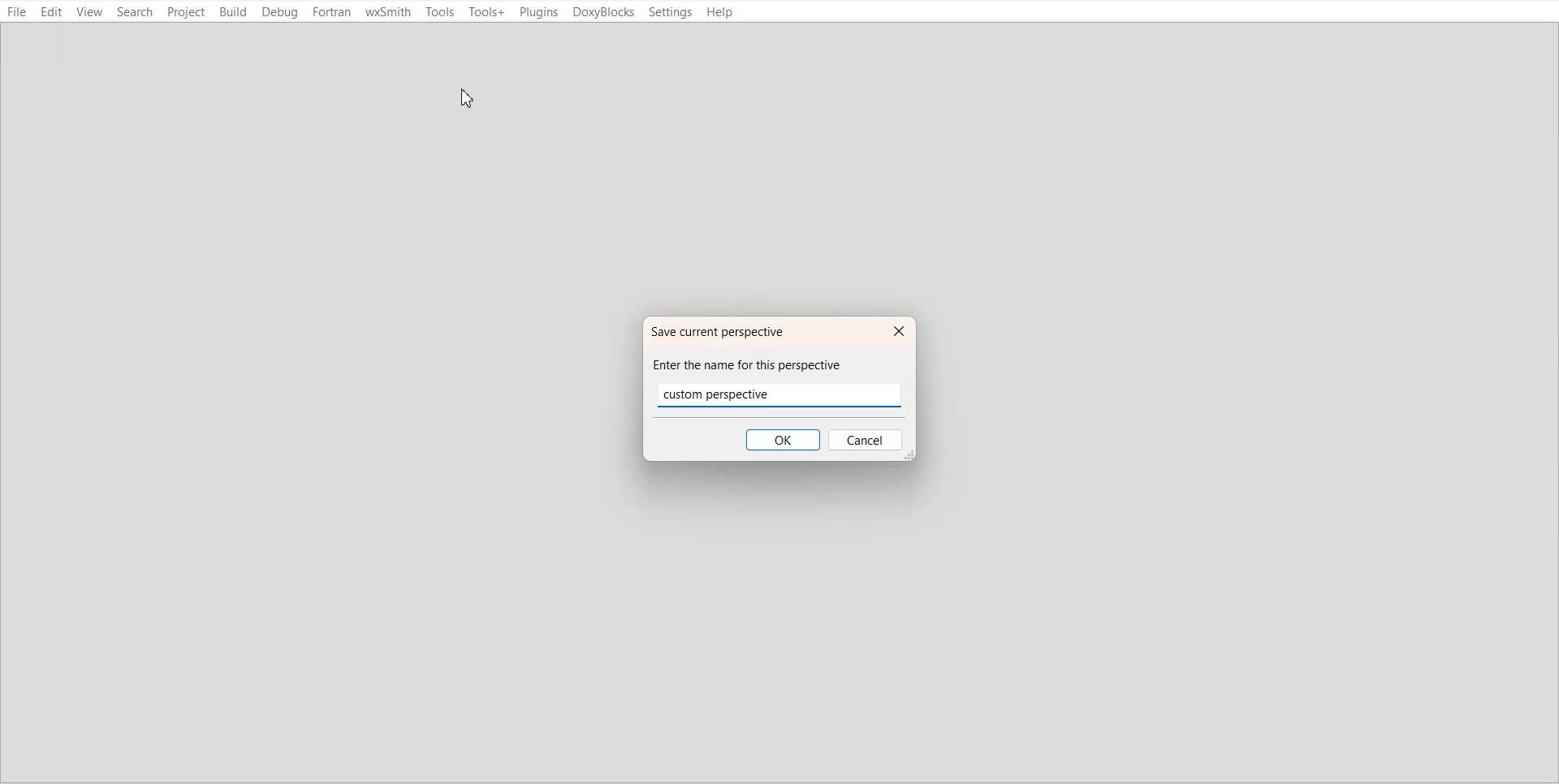  What do you see at coordinates (486, 12) in the screenshot?
I see `Tools+` at bounding box center [486, 12].